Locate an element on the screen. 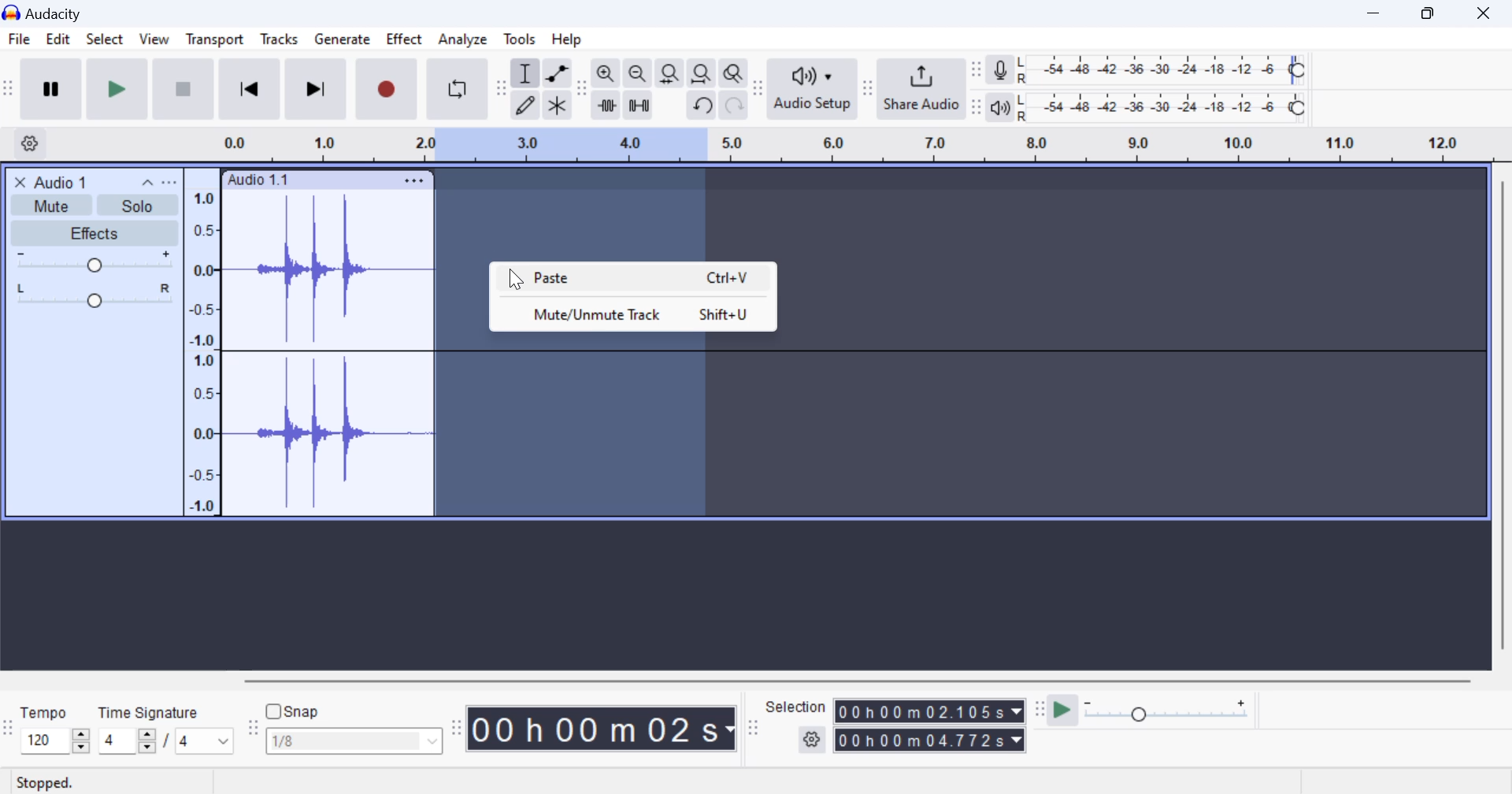  increase or decrease tempo is located at coordinates (54, 740).